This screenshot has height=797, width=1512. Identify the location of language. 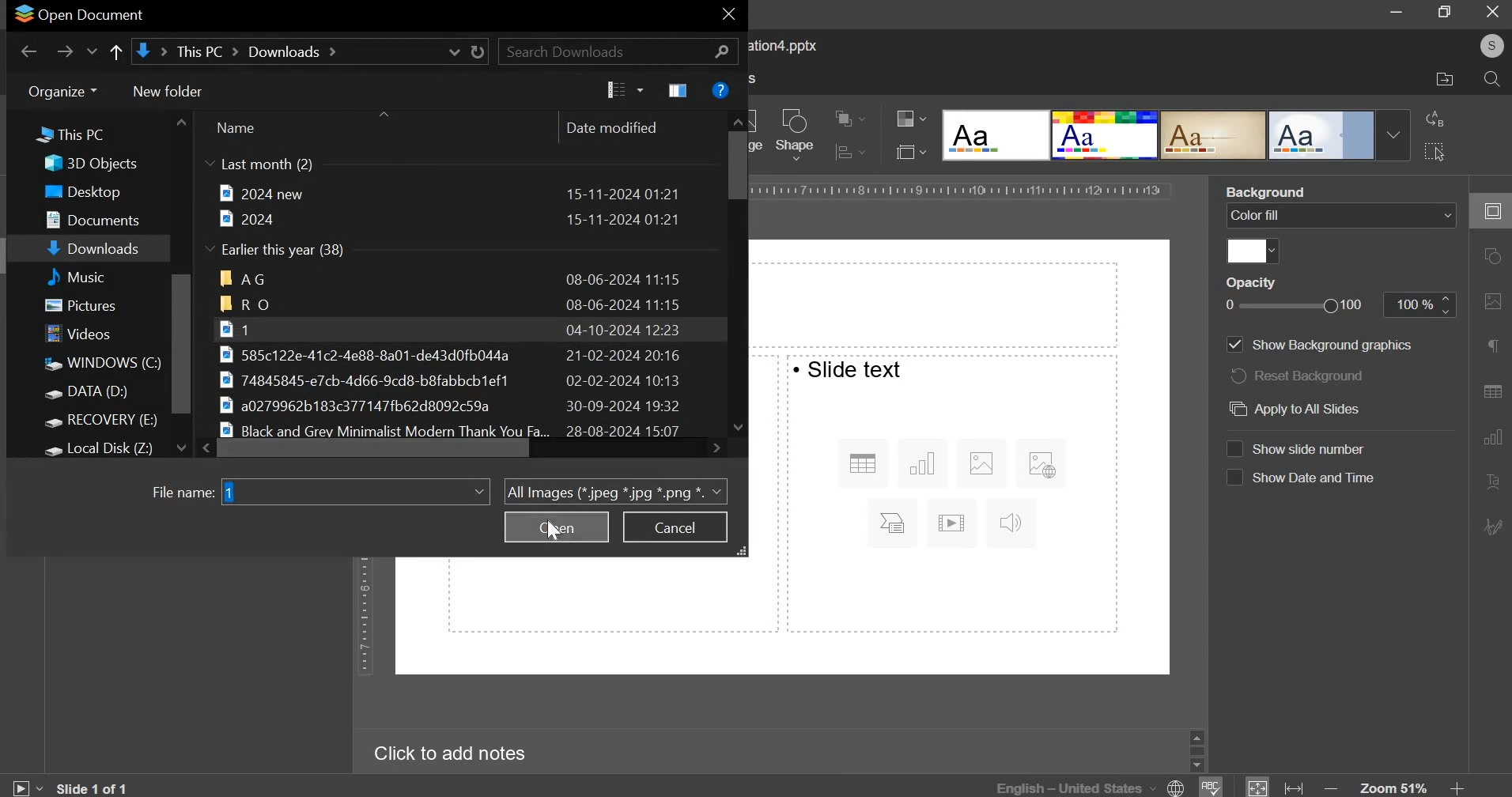
(1093, 786).